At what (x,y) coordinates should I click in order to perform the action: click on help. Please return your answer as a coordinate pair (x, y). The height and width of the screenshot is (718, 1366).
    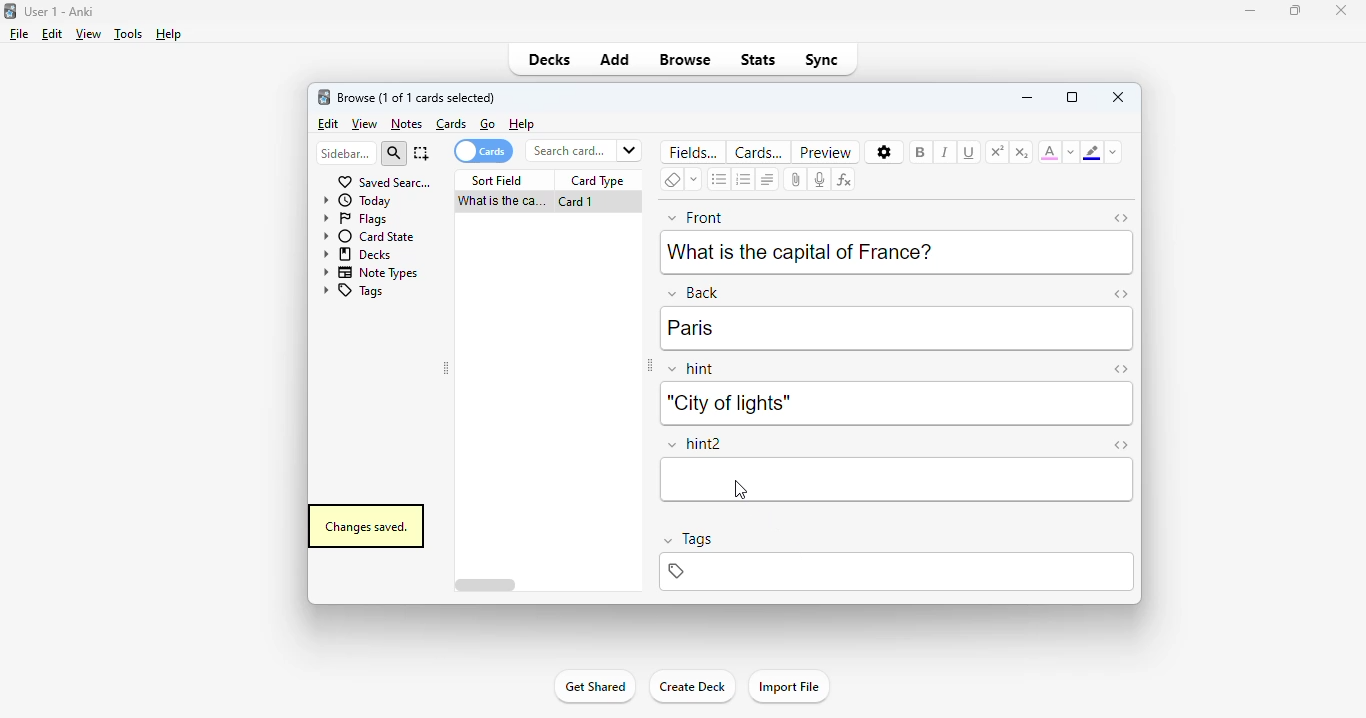
    Looking at the image, I should click on (522, 124).